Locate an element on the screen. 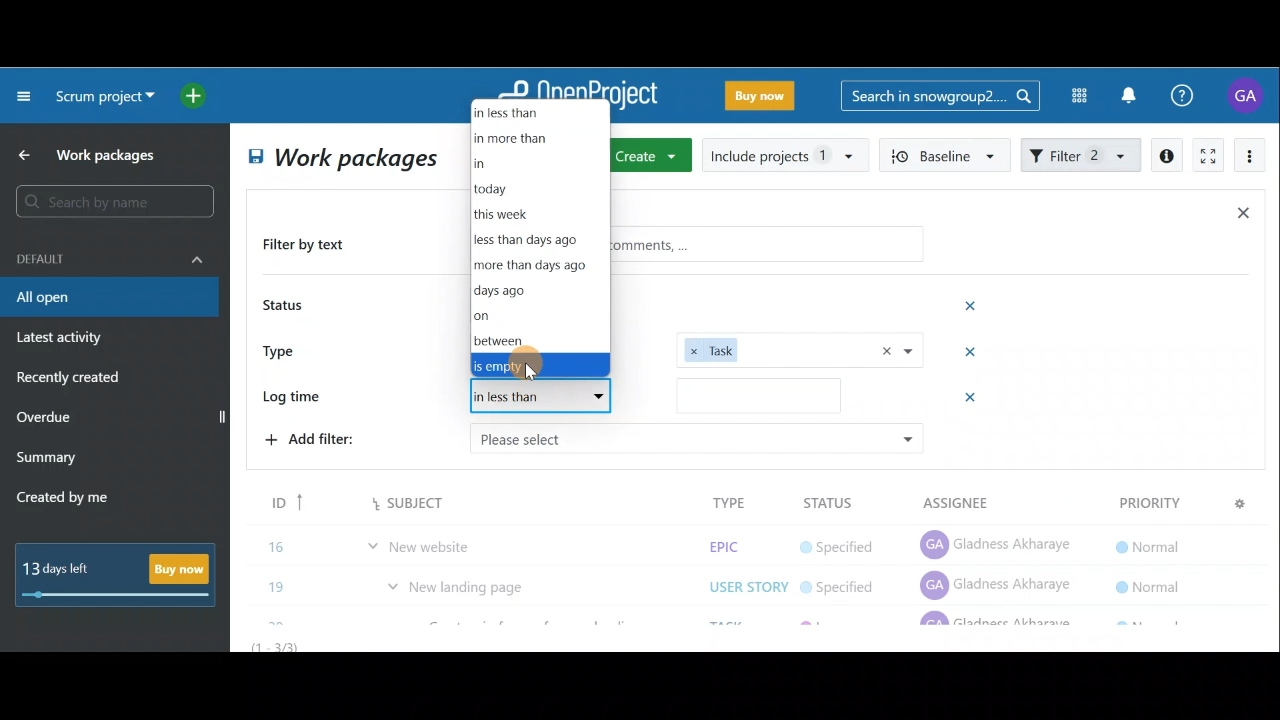 The height and width of the screenshot is (720, 1280). Cursor is located at coordinates (532, 369).